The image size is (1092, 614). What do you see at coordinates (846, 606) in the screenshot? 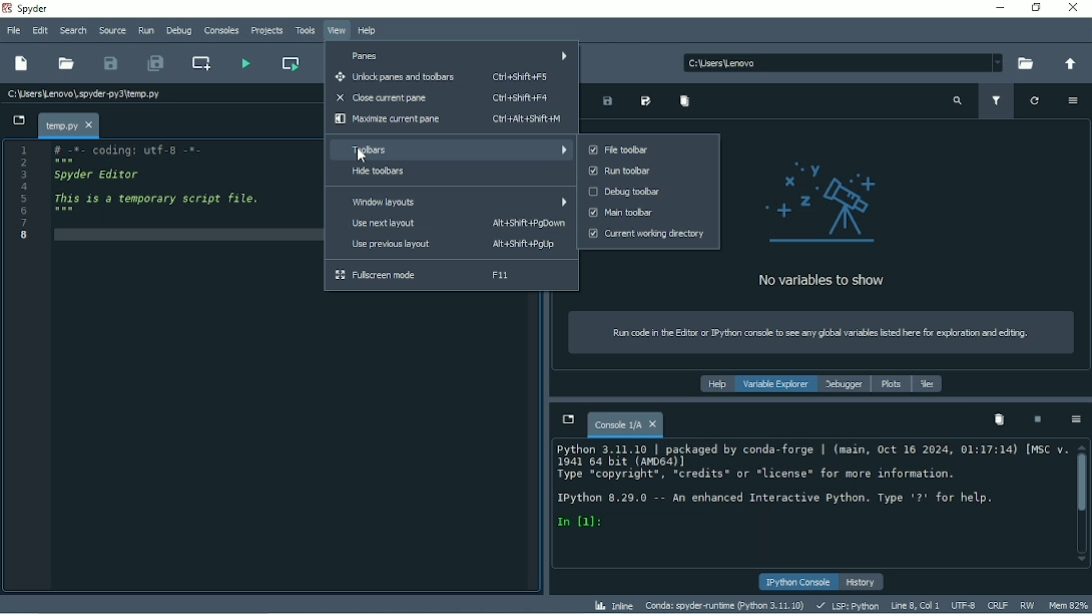
I see `LSP` at bounding box center [846, 606].